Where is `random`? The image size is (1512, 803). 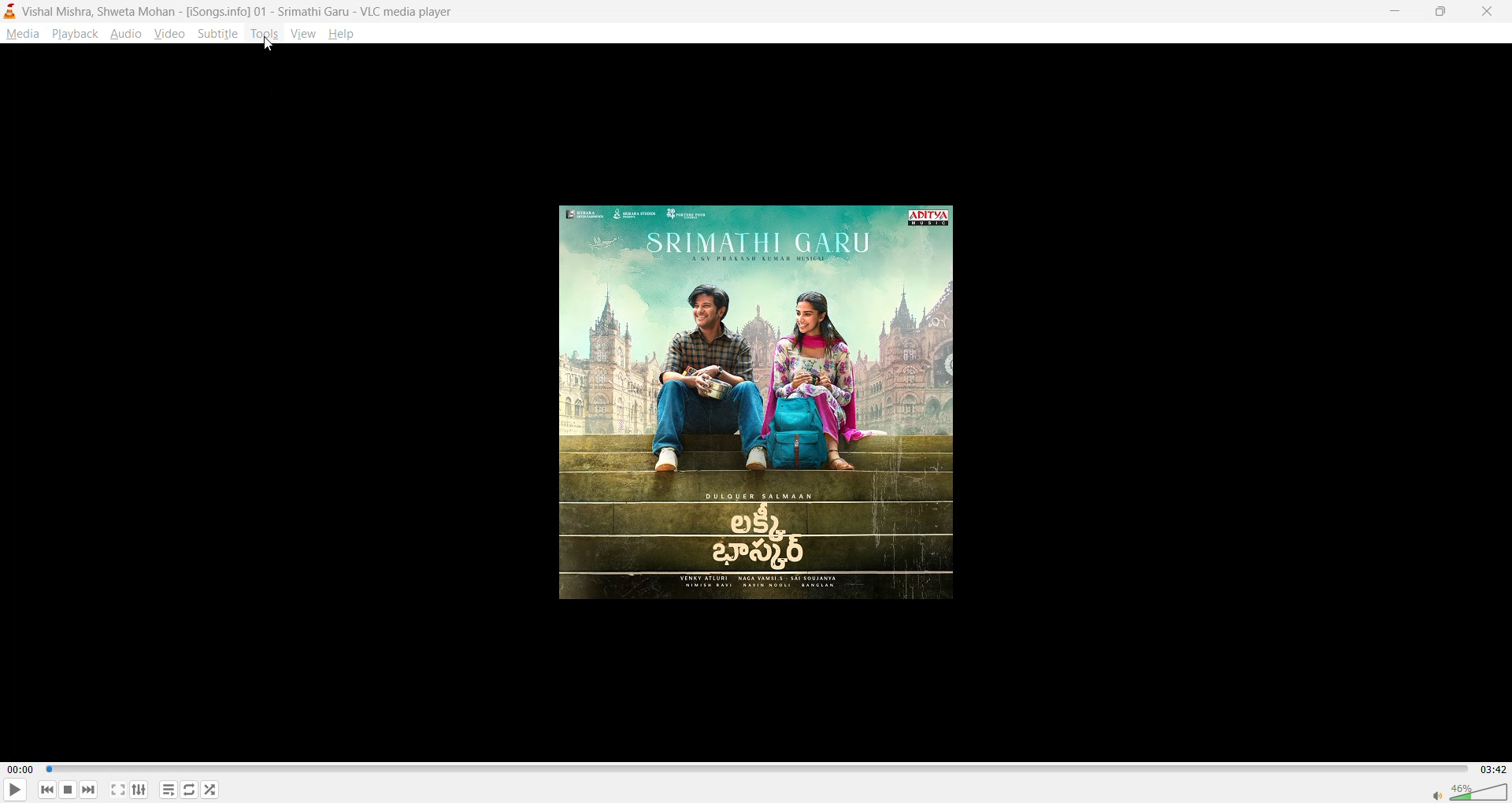 random is located at coordinates (210, 789).